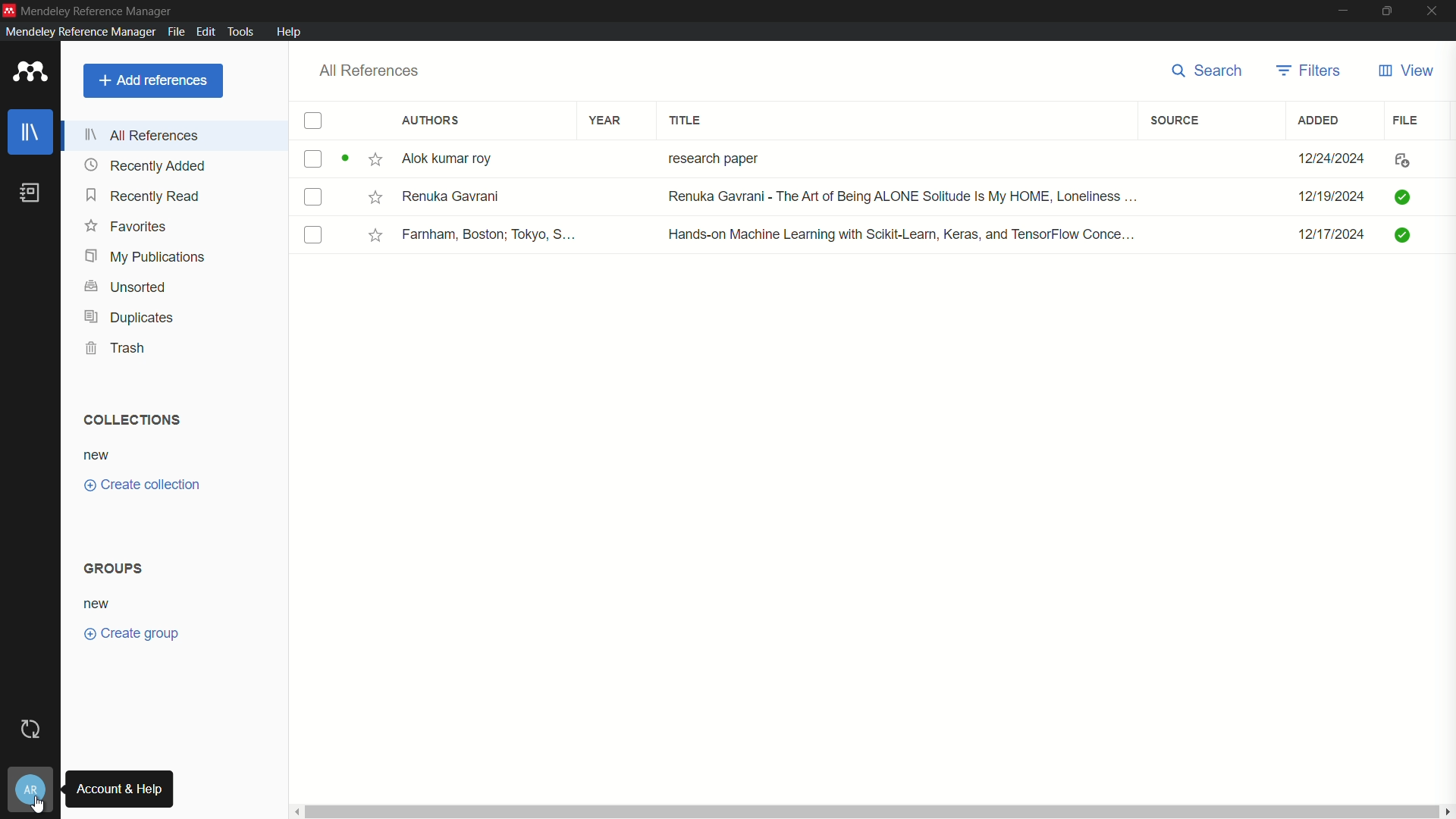 The height and width of the screenshot is (819, 1456). I want to click on recently read, so click(146, 196).